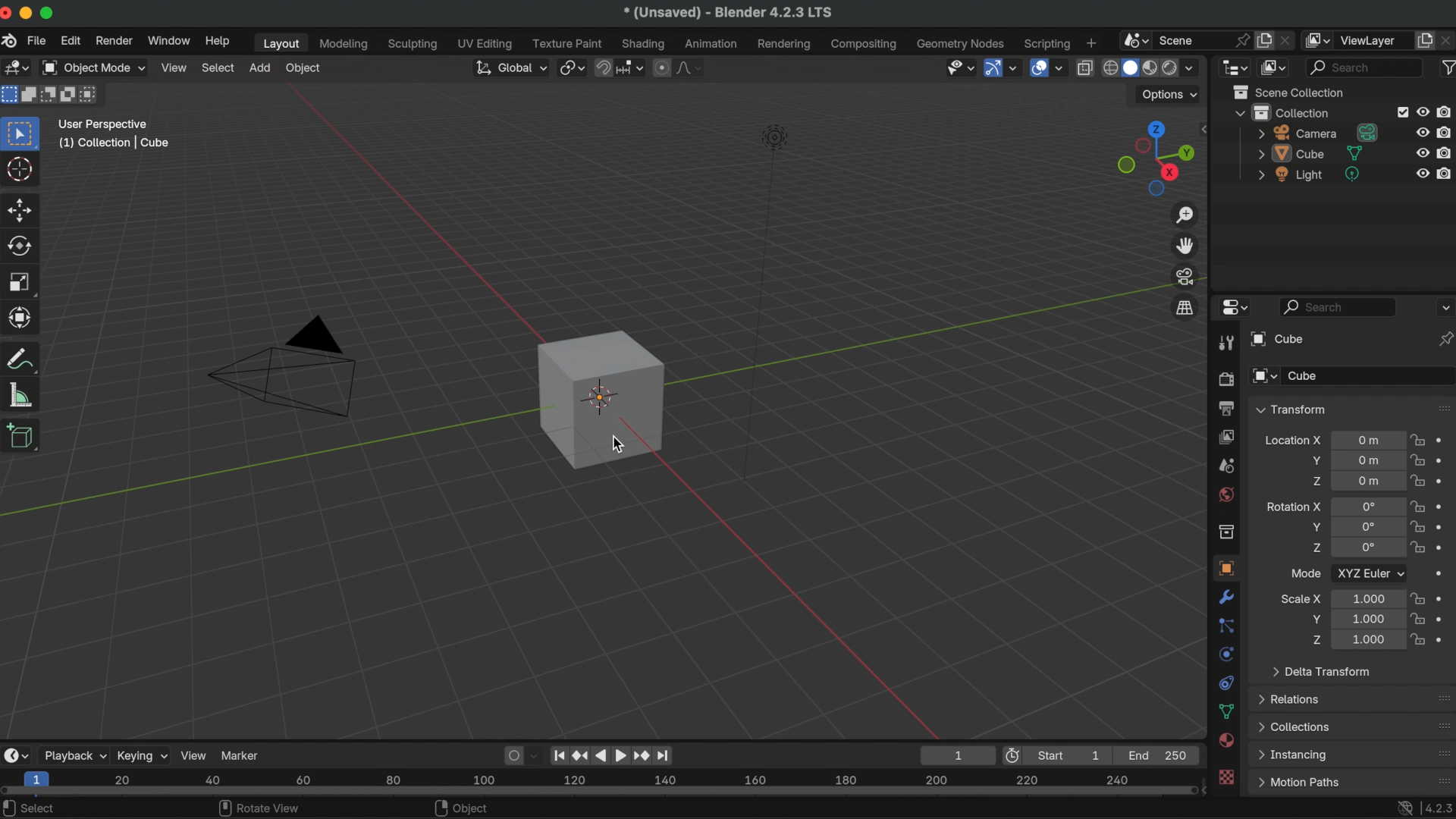 This screenshot has width=1456, height=819. Describe the element at coordinates (581, 752) in the screenshot. I see `jump to keyframe` at that location.